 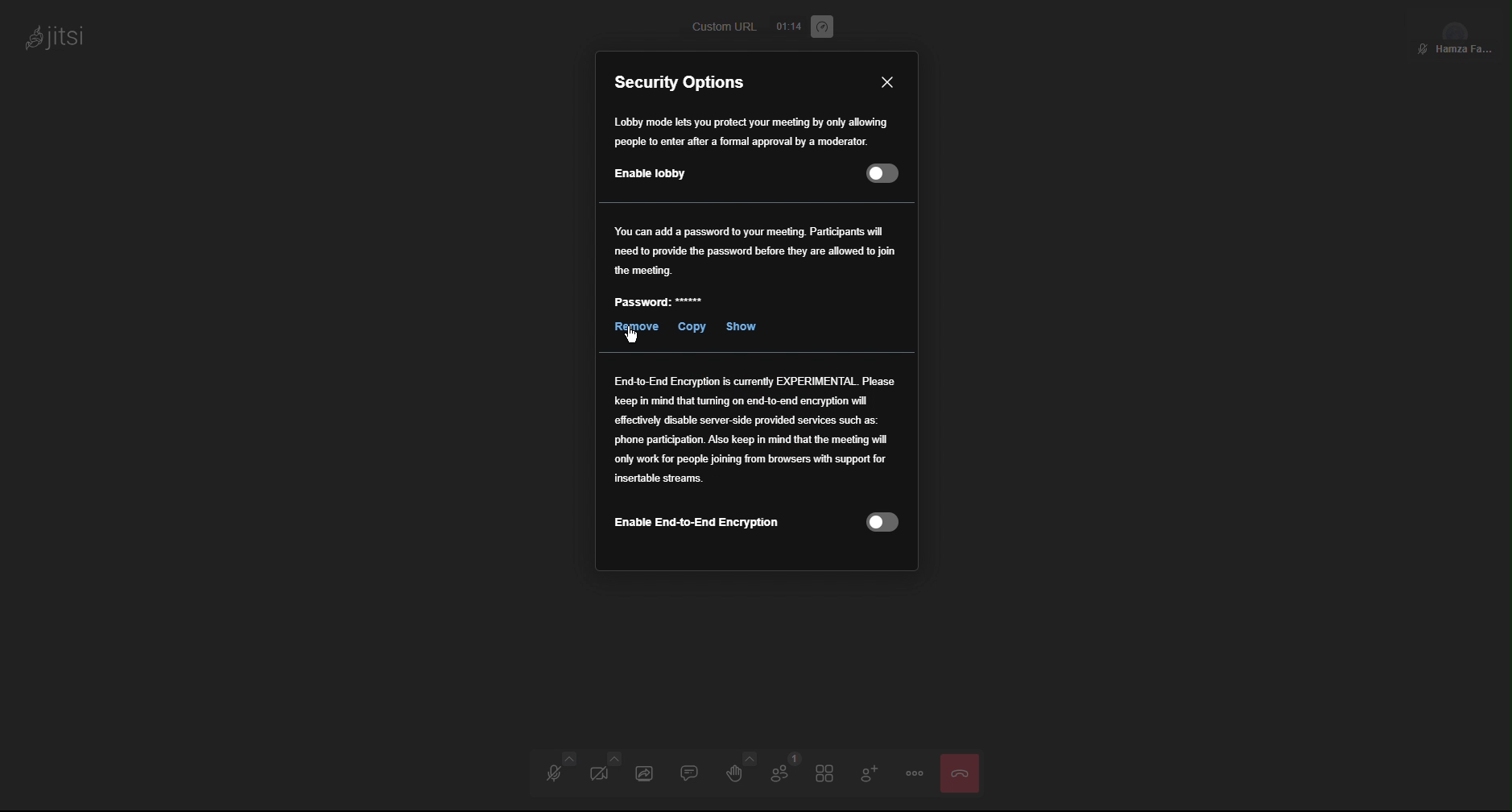 What do you see at coordinates (655, 772) in the screenshot?
I see `Share Screen` at bounding box center [655, 772].